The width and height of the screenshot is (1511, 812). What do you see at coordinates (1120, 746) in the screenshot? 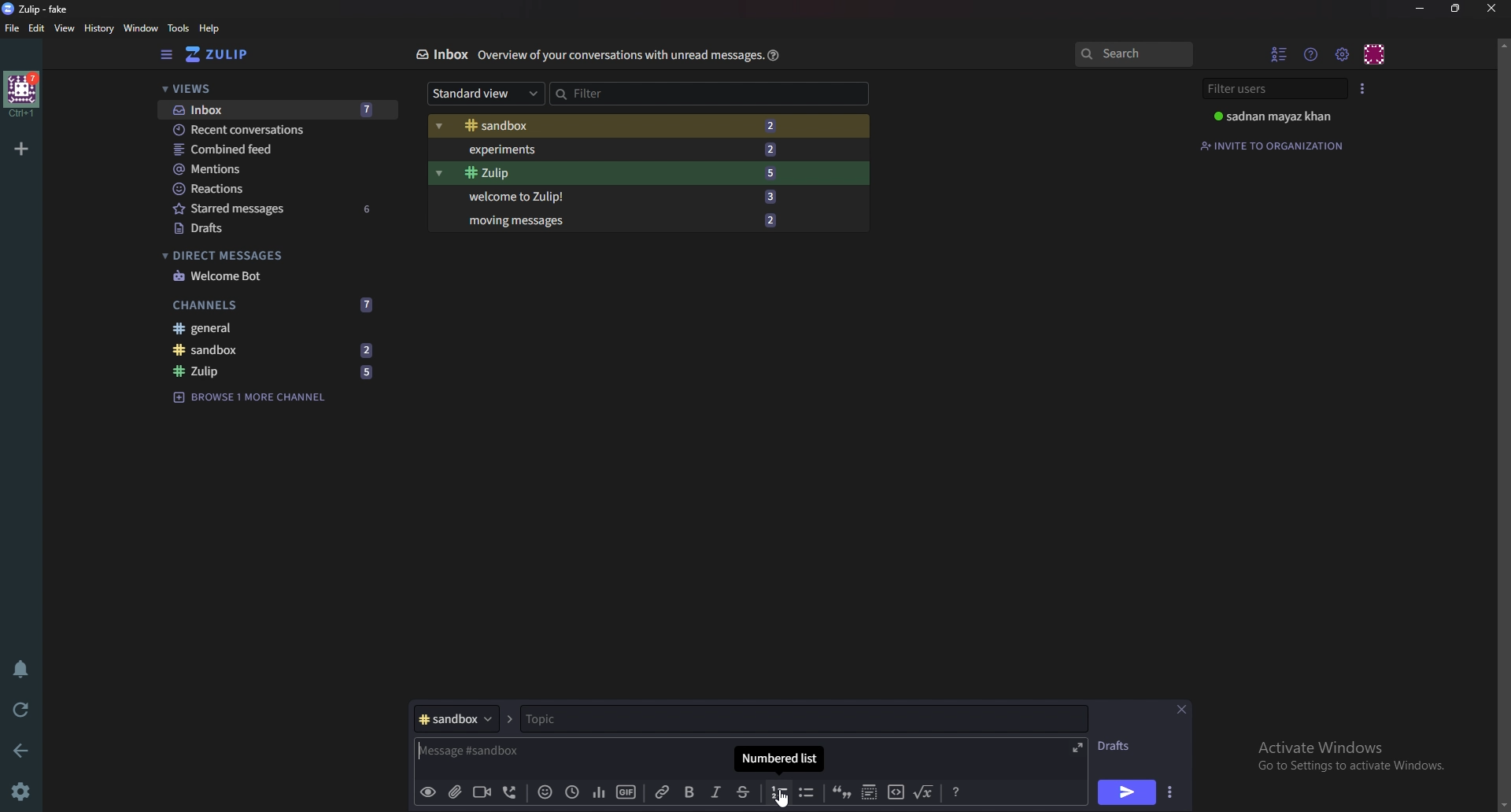
I see `Drafts` at bounding box center [1120, 746].